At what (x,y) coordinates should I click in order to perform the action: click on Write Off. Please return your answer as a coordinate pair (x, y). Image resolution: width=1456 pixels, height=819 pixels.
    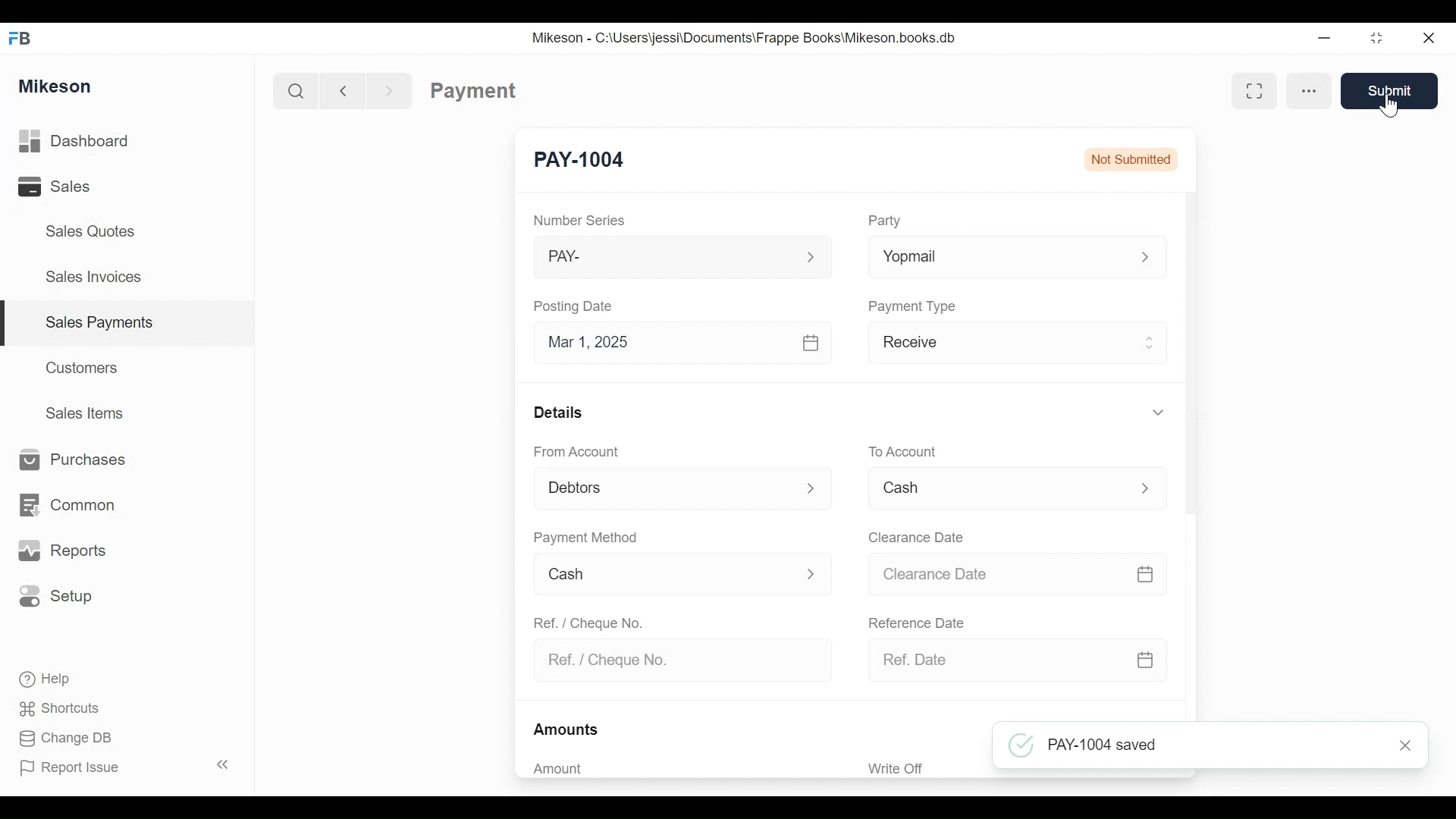
    Looking at the image, I should click on (896, 768).